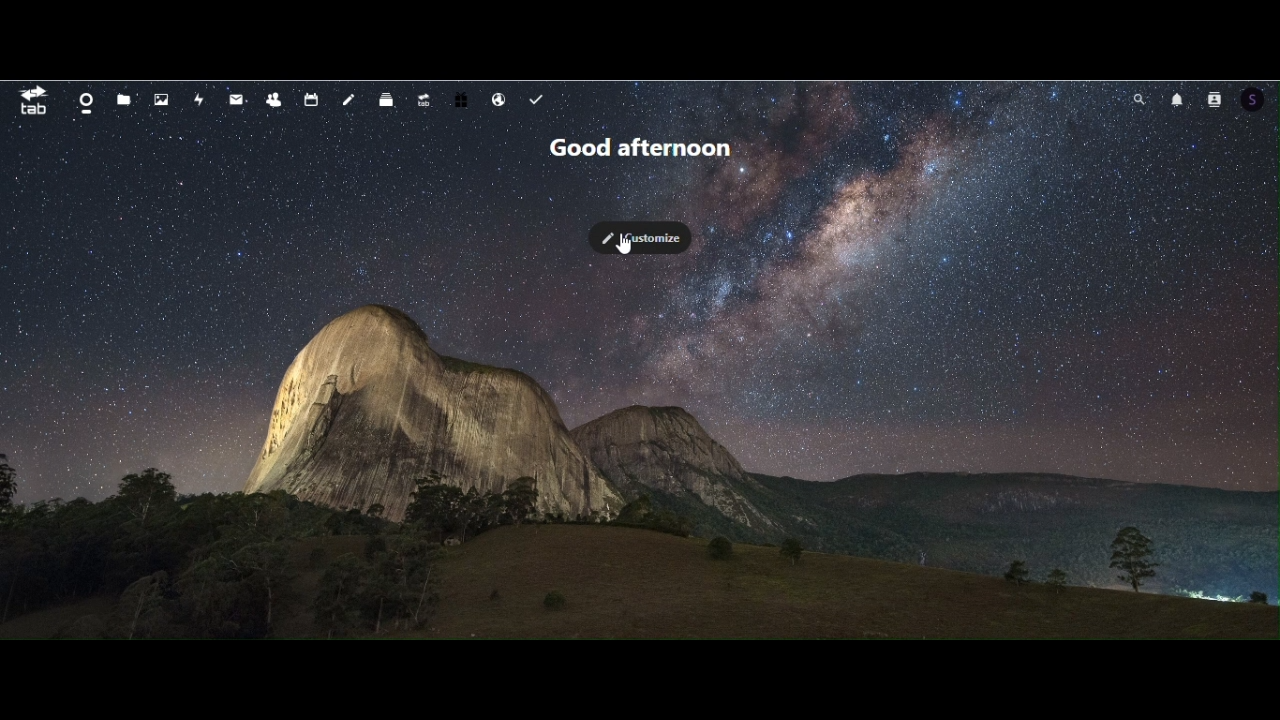  I want to click on contacts, so click(274, 100).